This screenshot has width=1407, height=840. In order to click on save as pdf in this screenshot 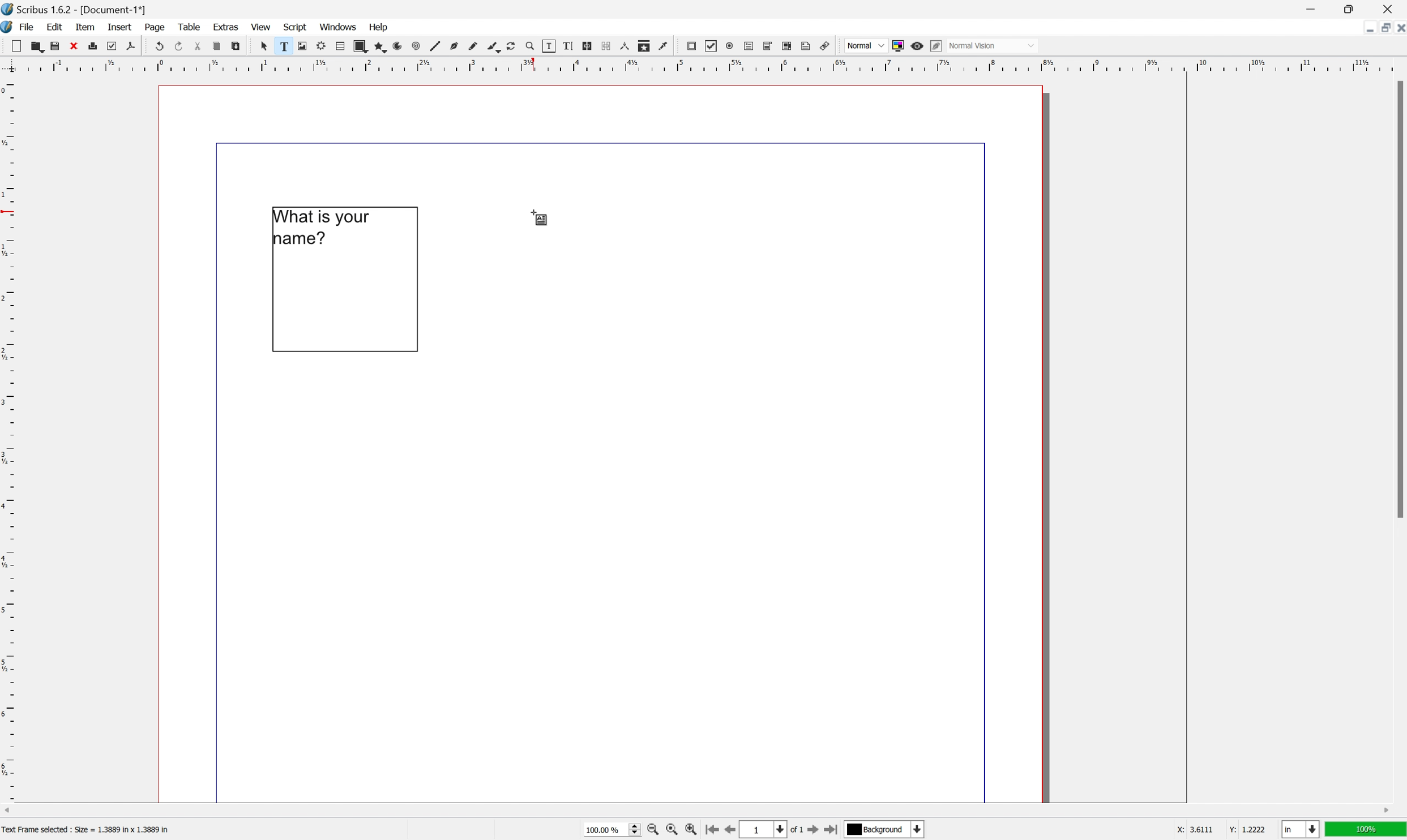, I will do `click(130, 45)`.